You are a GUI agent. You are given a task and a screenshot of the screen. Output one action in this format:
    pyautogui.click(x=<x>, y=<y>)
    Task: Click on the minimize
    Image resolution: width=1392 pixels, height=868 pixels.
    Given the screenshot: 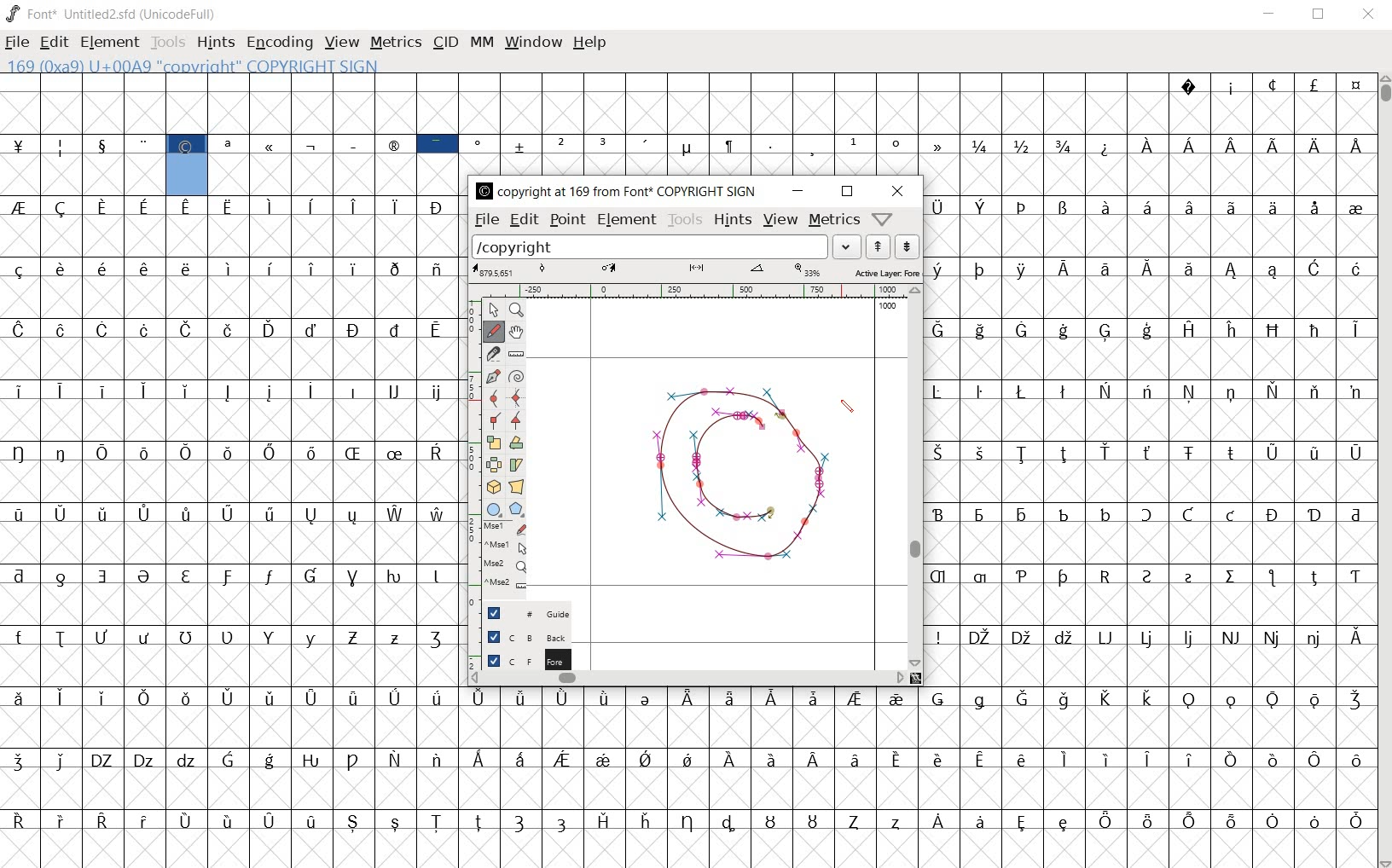 What is the action you would take?
    pyautogui.click(x=1269, y=14)
    